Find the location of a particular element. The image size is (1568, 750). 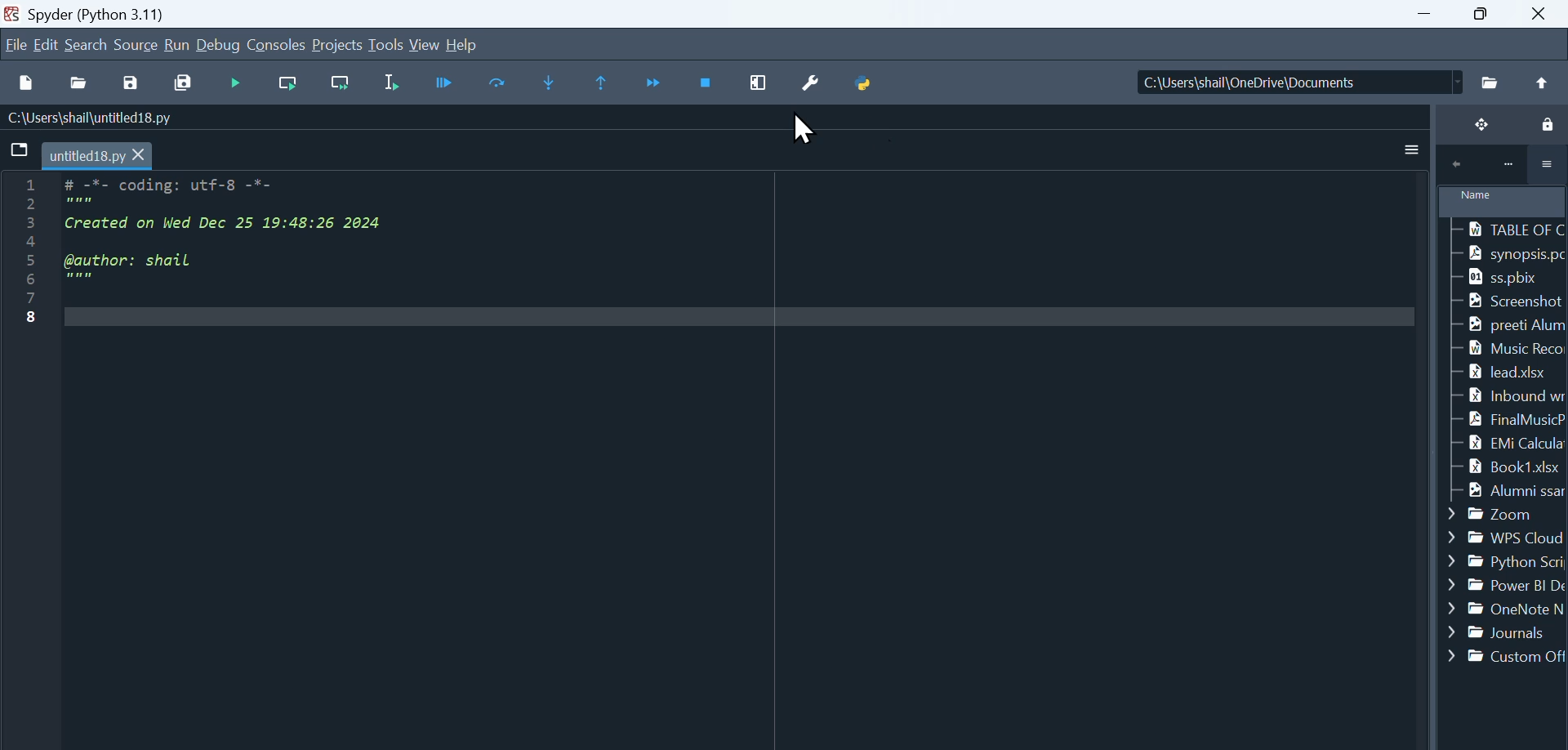

Open is located at coordinates (82, 82).